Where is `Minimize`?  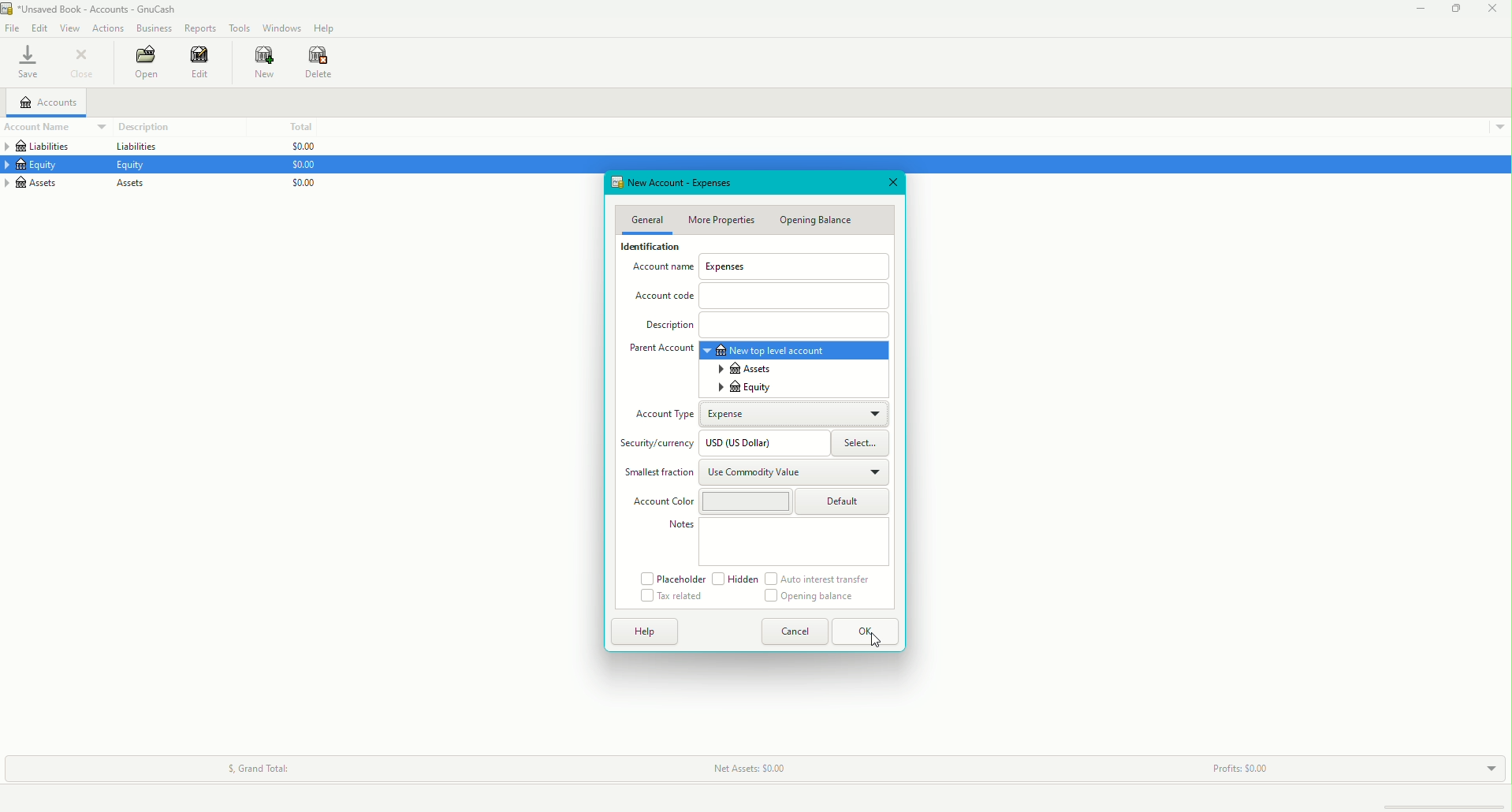
Minimize is located at coordinates (1417, 9).